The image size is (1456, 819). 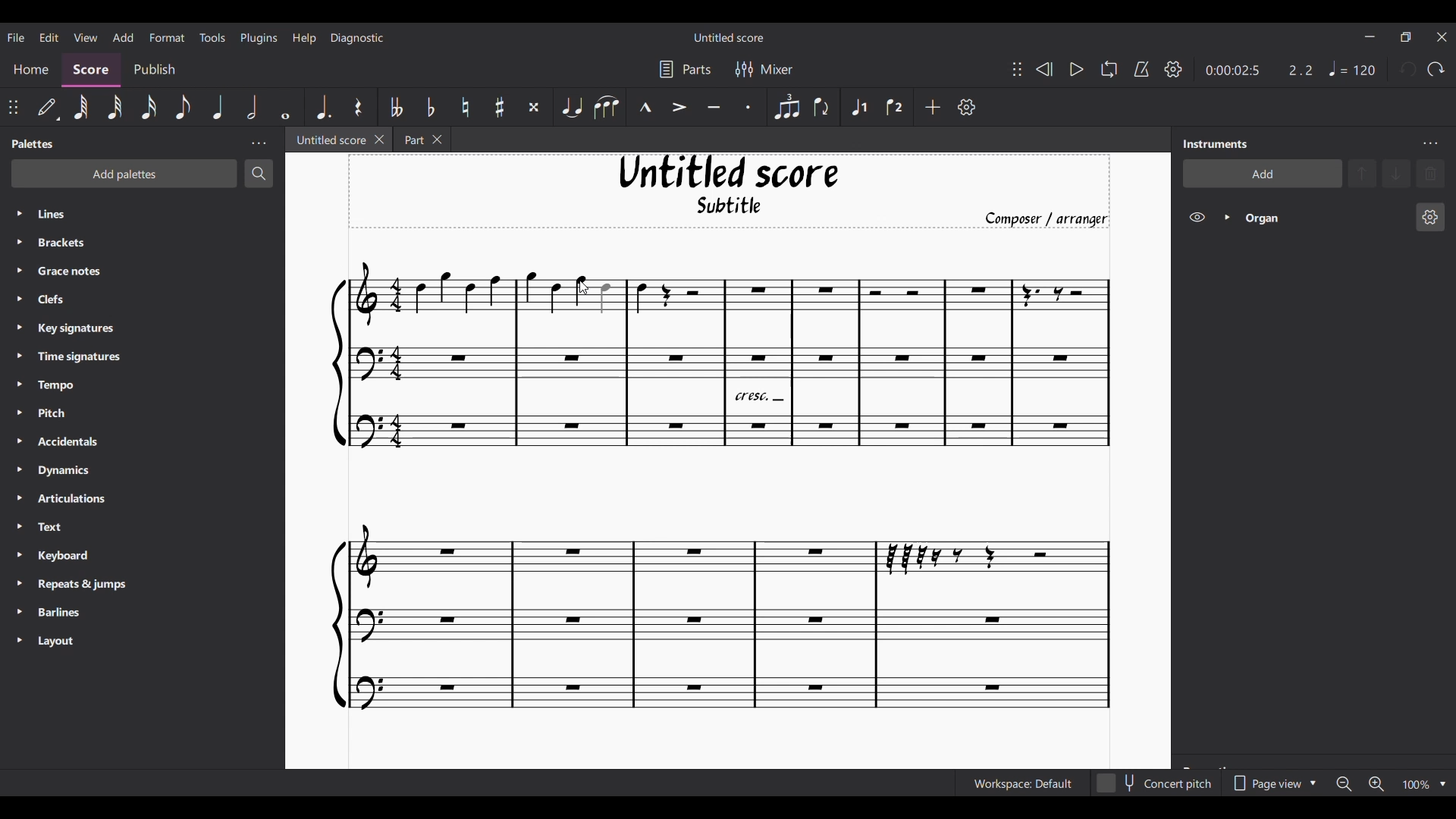 I want to click on Playback settings, so click(x=1173, y=69).